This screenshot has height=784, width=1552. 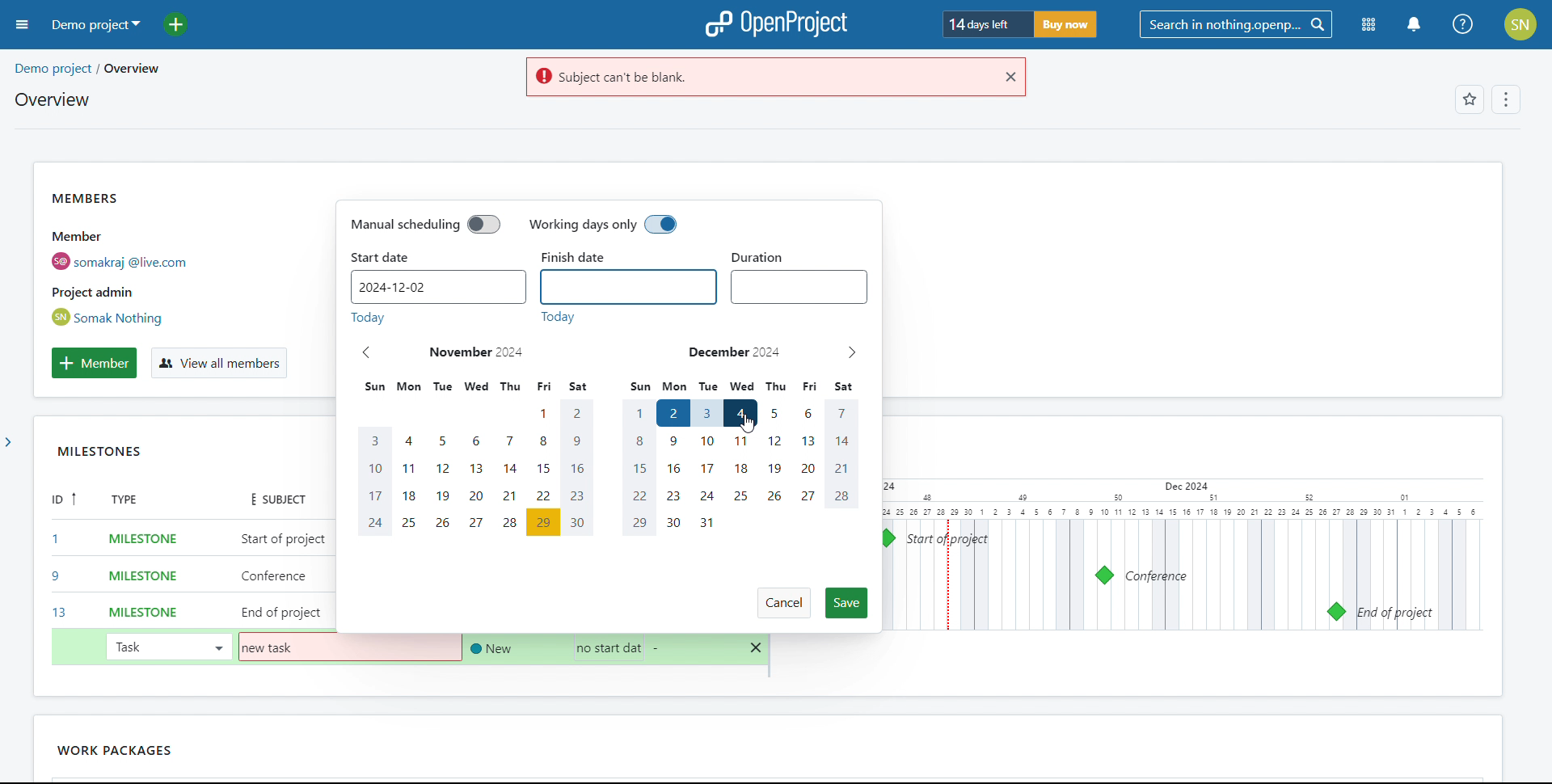 I want to click on warning, so click(x=756, y=78).